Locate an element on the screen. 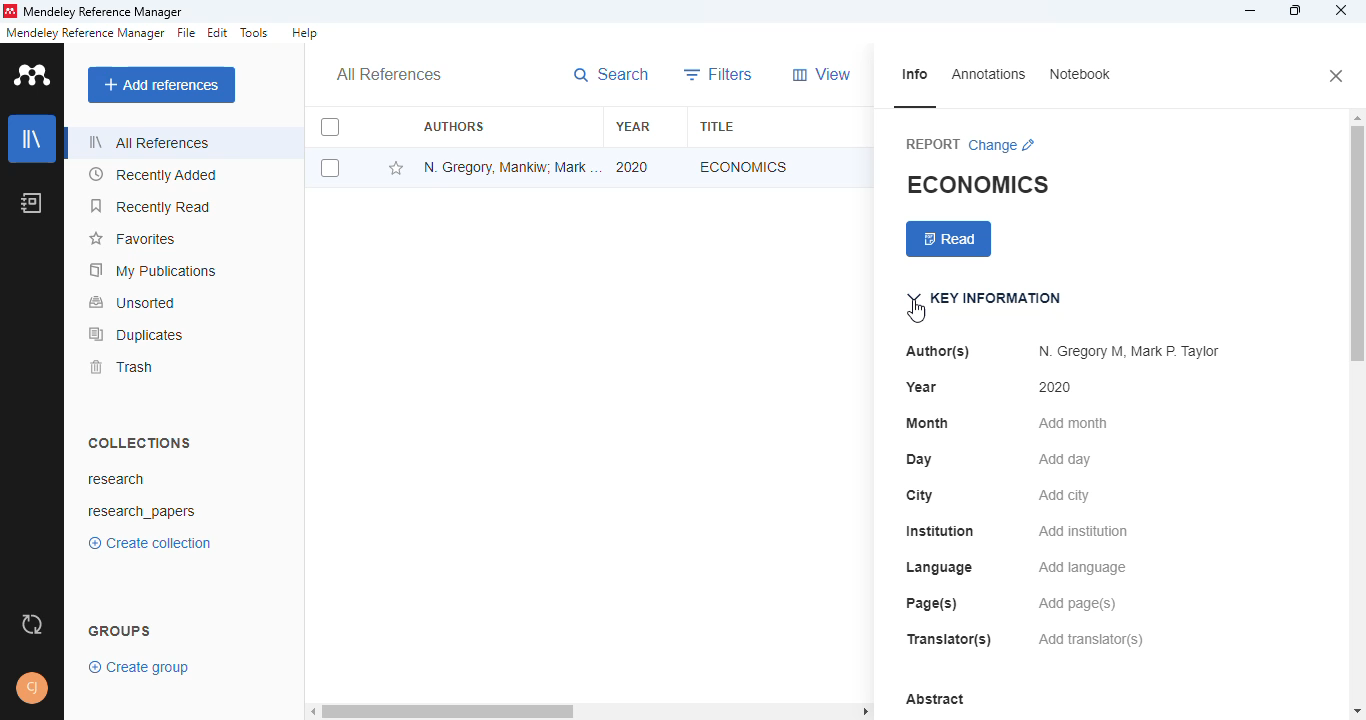 The image size is (1366, 720). change is located at coordinates (1002, 146).